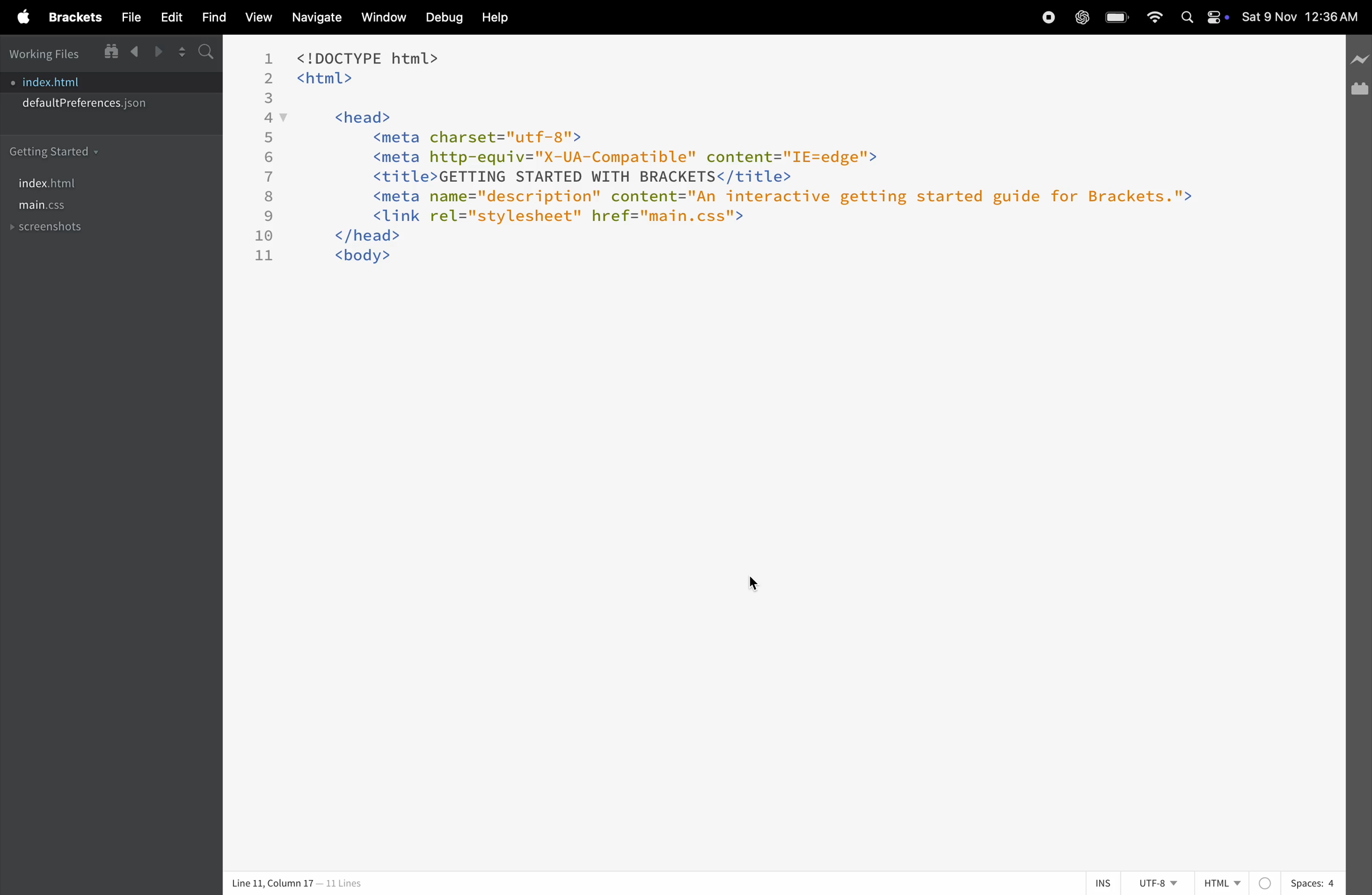  What do you see at coordinates (1155, 883) in the screenshot?
I see `utf-8` at bounding box center [1155, 883].